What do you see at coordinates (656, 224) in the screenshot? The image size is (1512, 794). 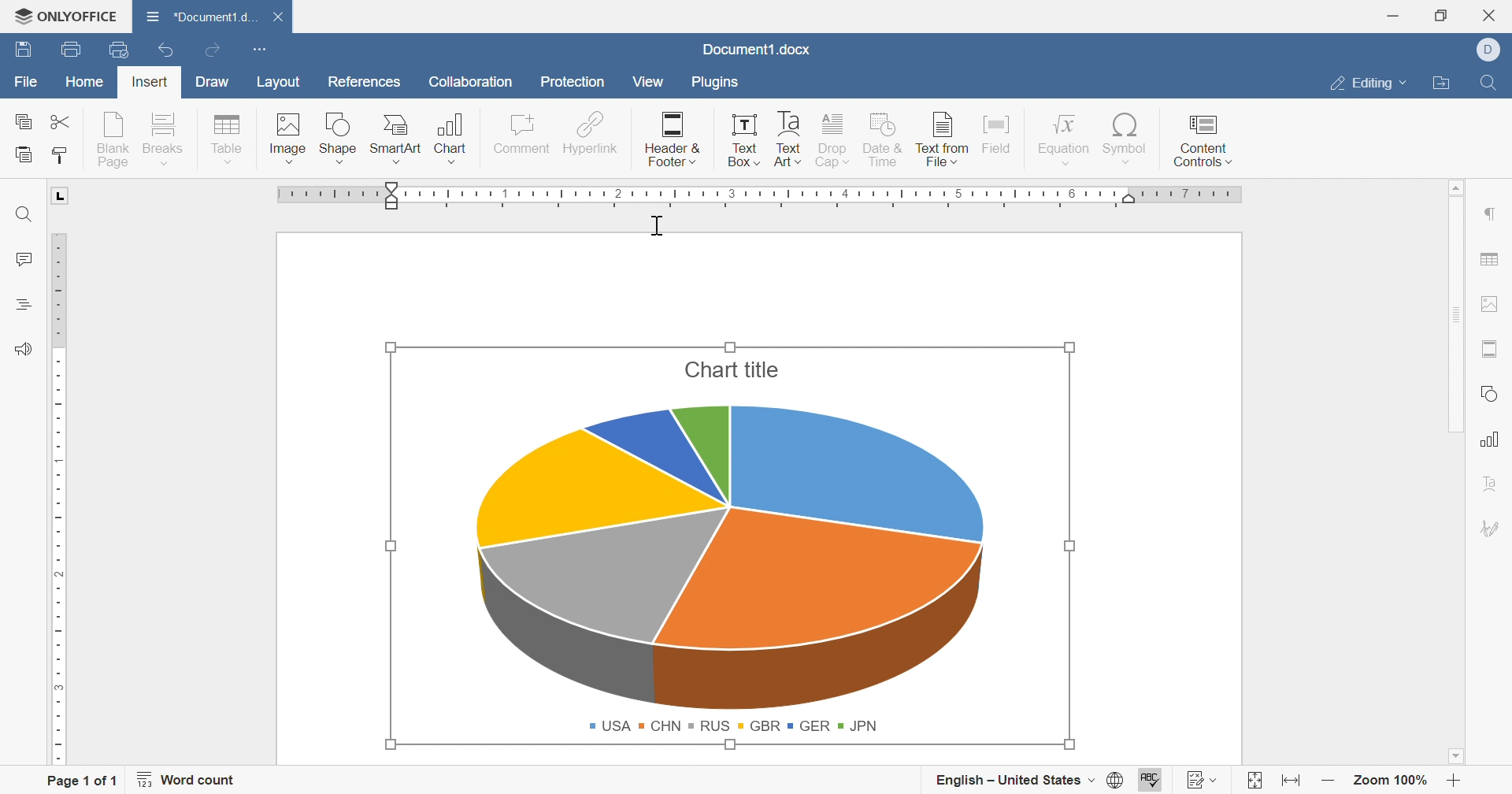 I see `text Cursor` at bounding box center [656, 224].